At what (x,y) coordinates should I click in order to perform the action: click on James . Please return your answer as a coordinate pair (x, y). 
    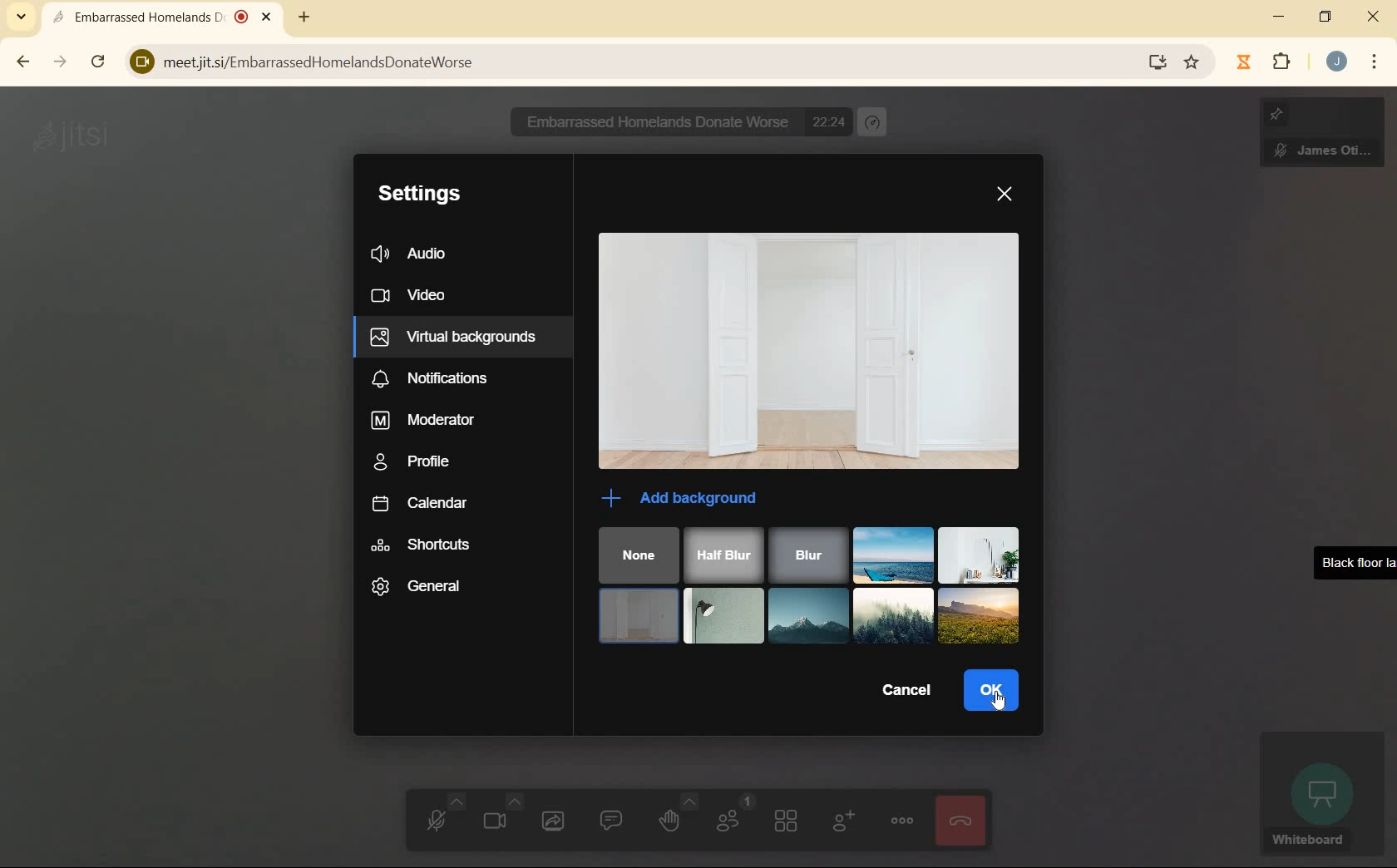
    Looking at the image, I should click on (1322, 138).